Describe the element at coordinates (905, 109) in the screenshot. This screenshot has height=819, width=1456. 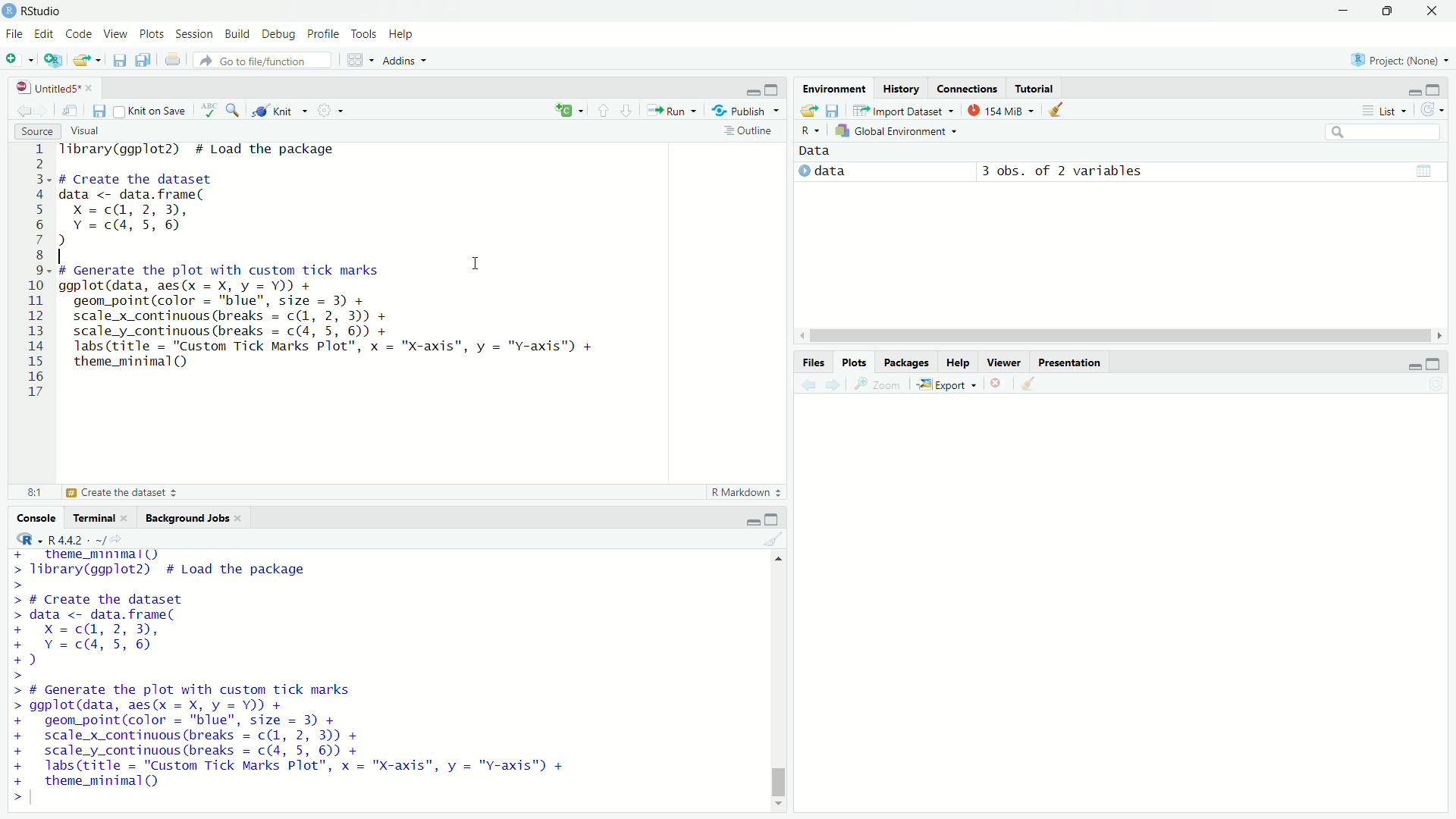
I see `import dataset` at that location.